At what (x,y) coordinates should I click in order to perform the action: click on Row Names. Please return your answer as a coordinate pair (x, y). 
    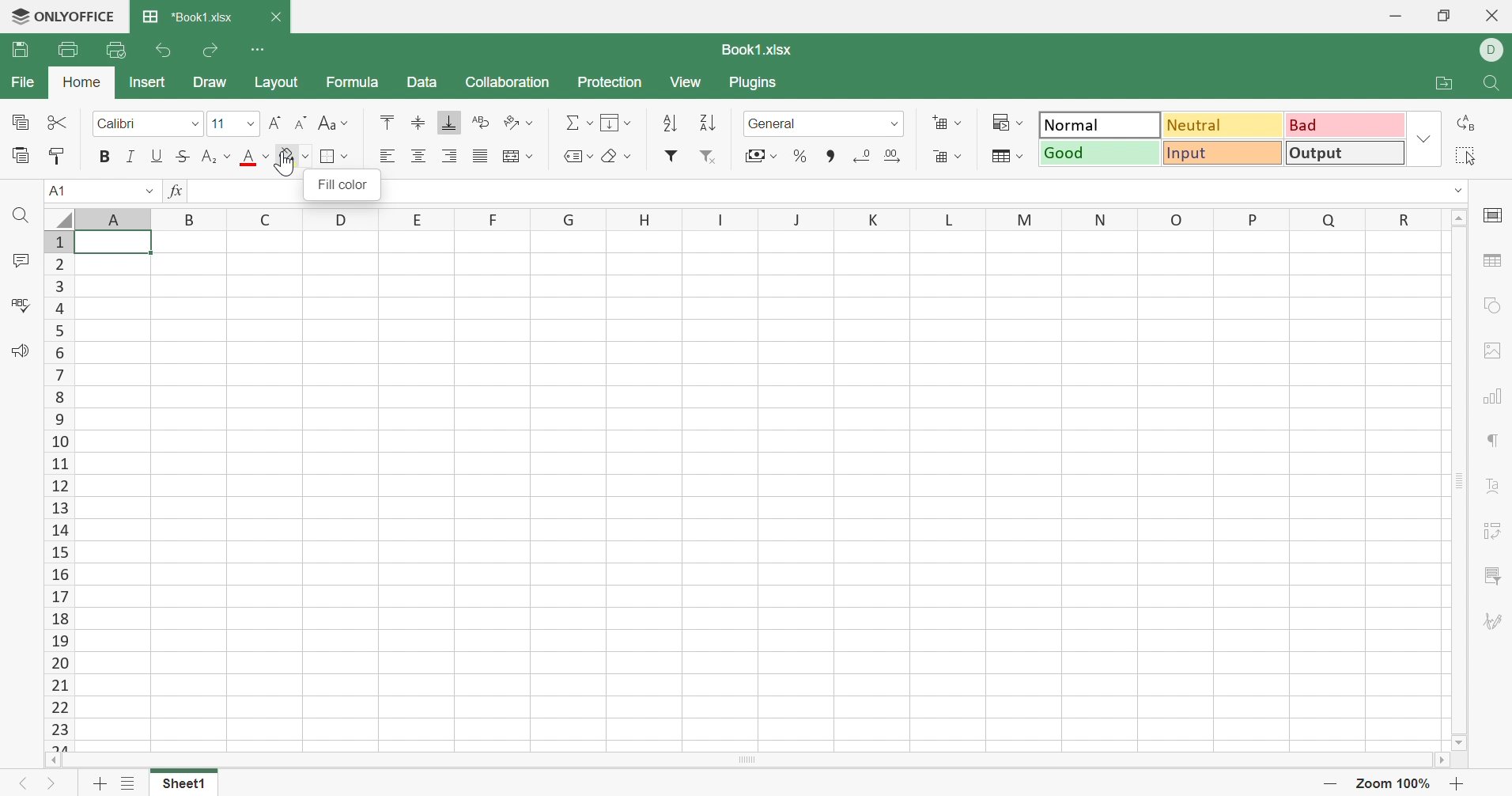
    Looking at the image, I should click on (57, 490).